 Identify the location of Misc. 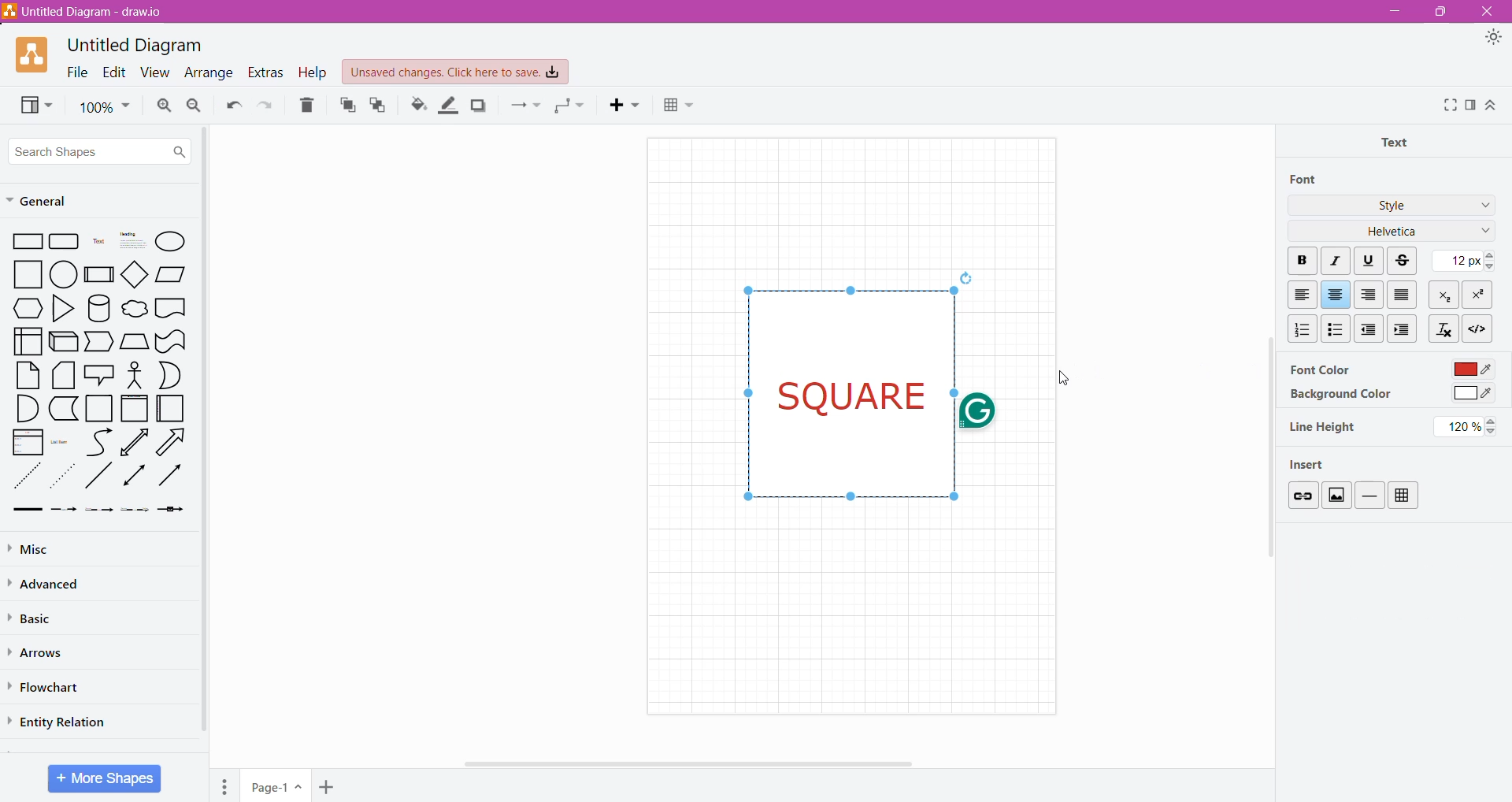
(47, 547).